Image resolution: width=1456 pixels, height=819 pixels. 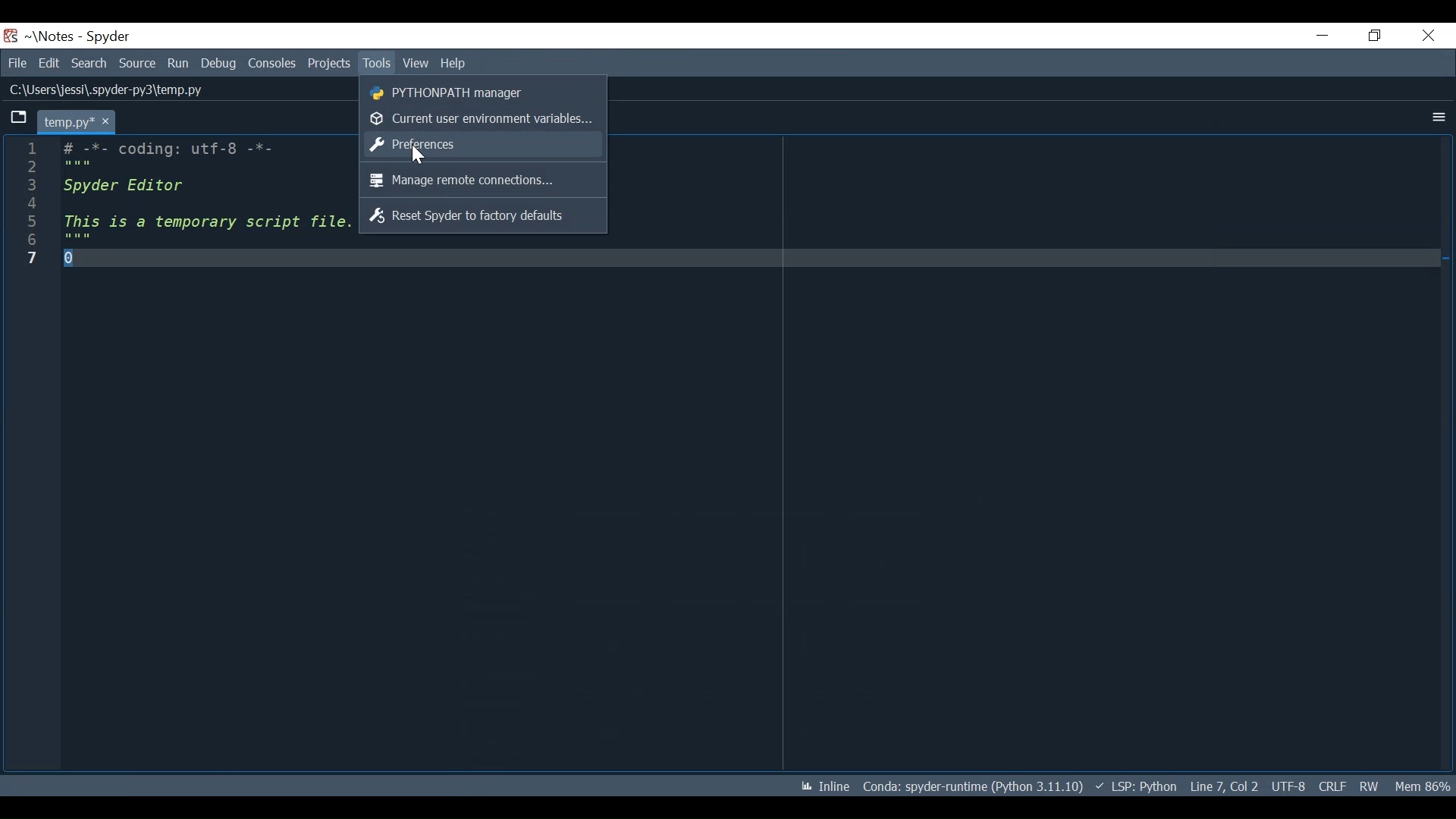 What do you see at coordinates (208, 202) in the screenshot?
I see `# -*- coding: utf-8 -*- """ Spyder Editor  This is a temporary script file. """` at bounding box center [208, 202].